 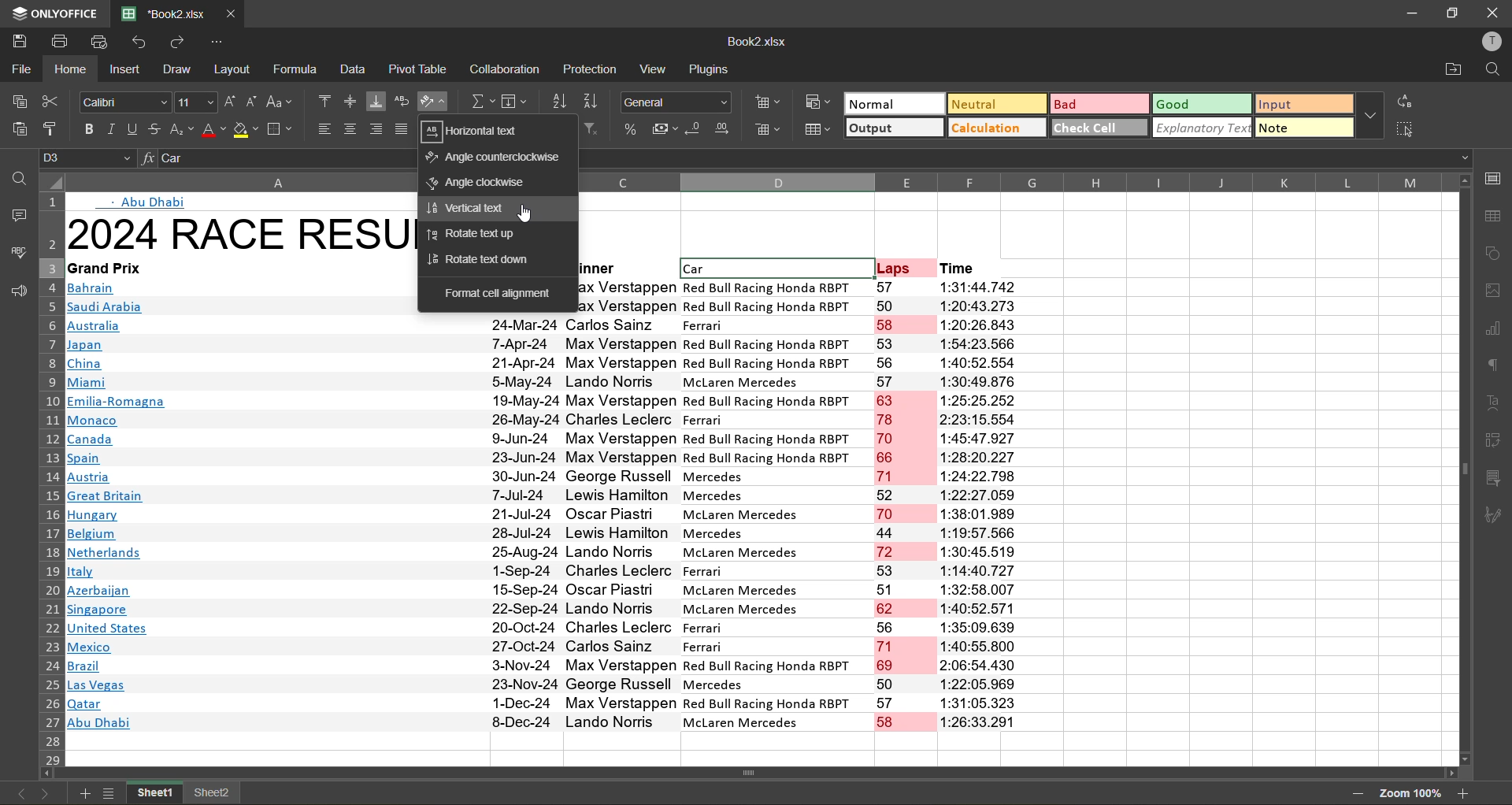 I want to click on open location, so click(x=1454, y=69).